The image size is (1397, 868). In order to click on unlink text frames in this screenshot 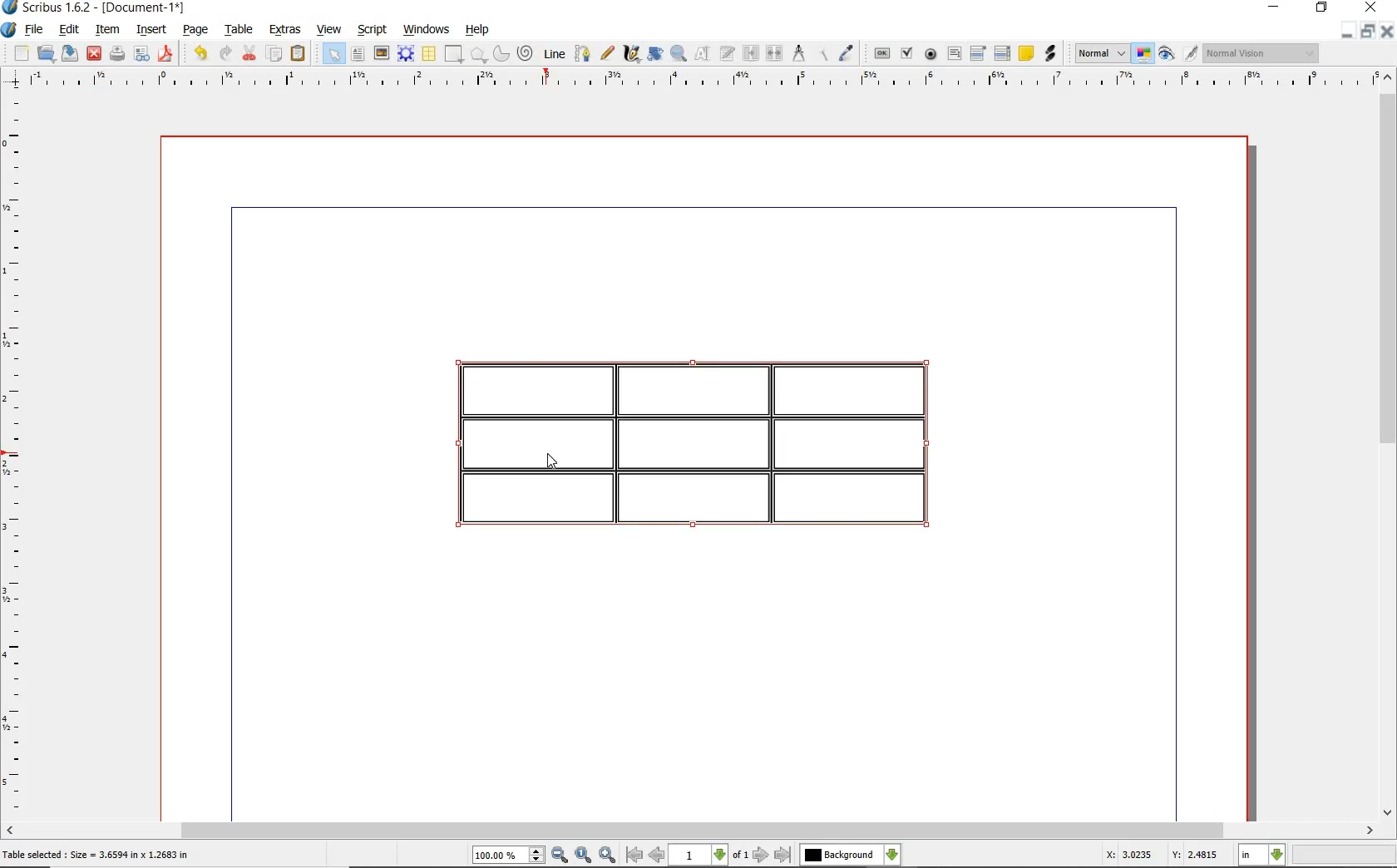, I will do `click(775, 53)`.